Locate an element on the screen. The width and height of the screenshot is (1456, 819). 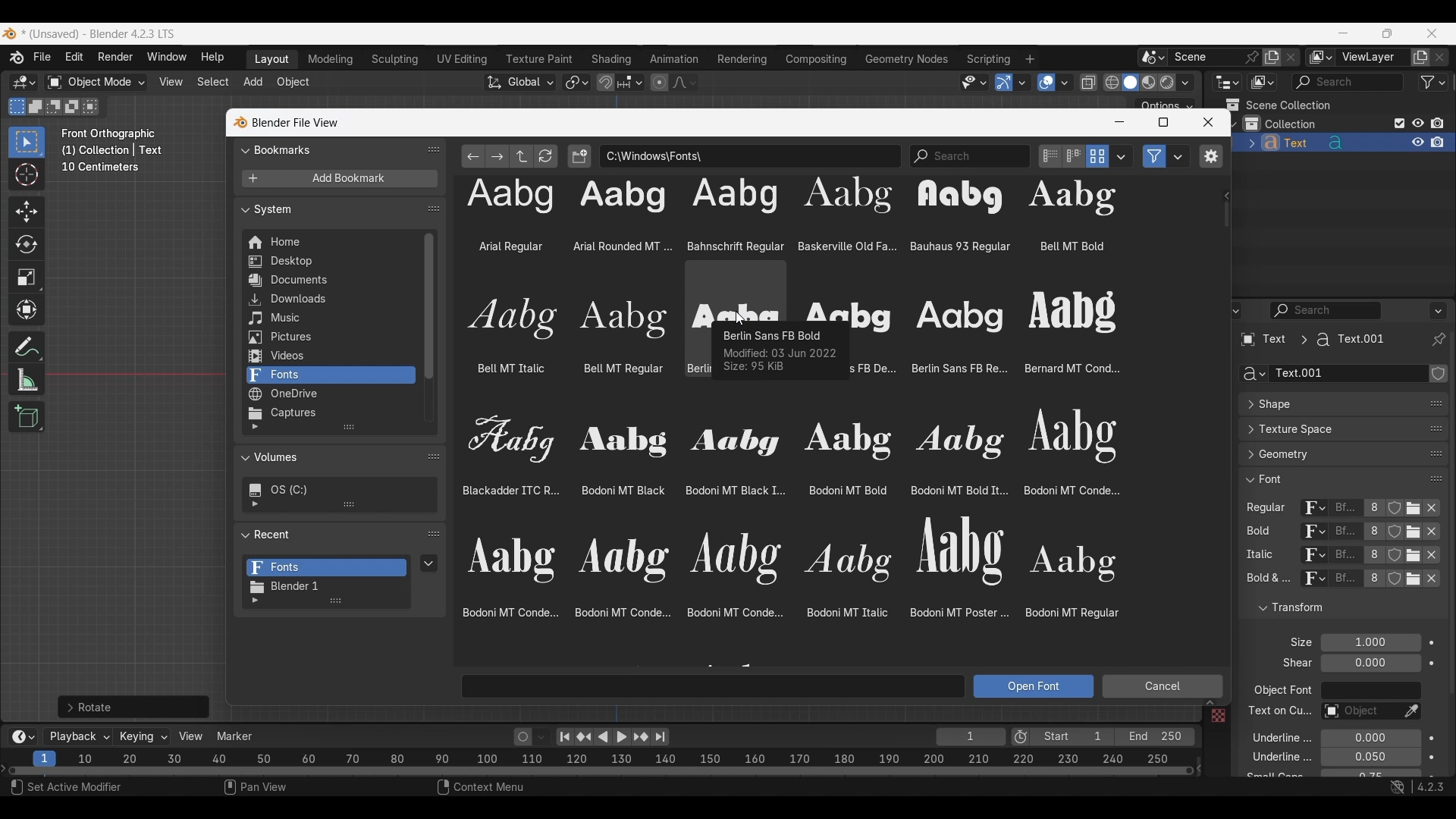
Cursor is located at coordinates (27, 176).